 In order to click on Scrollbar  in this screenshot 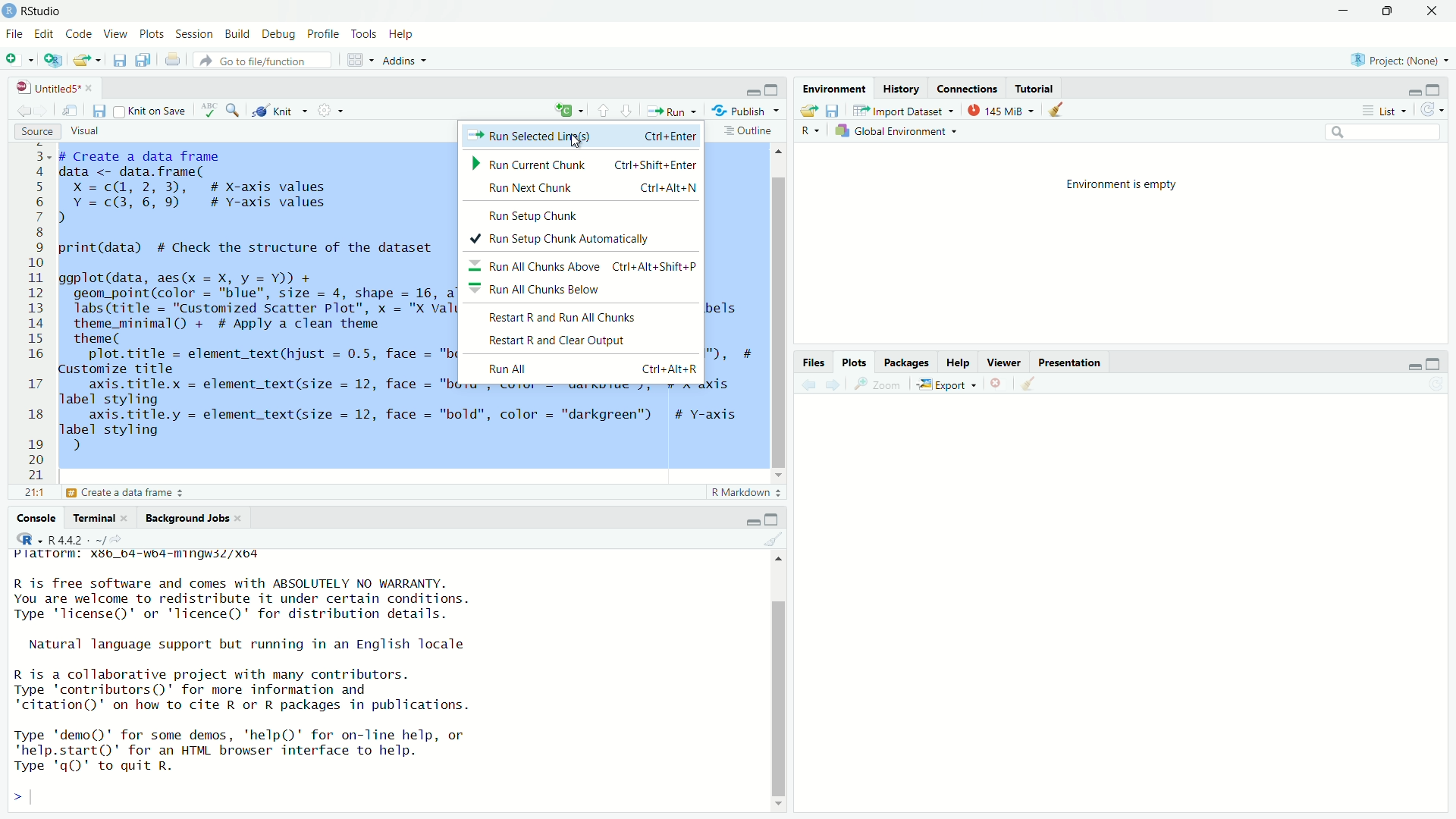, I will do `click(778, 312)`.